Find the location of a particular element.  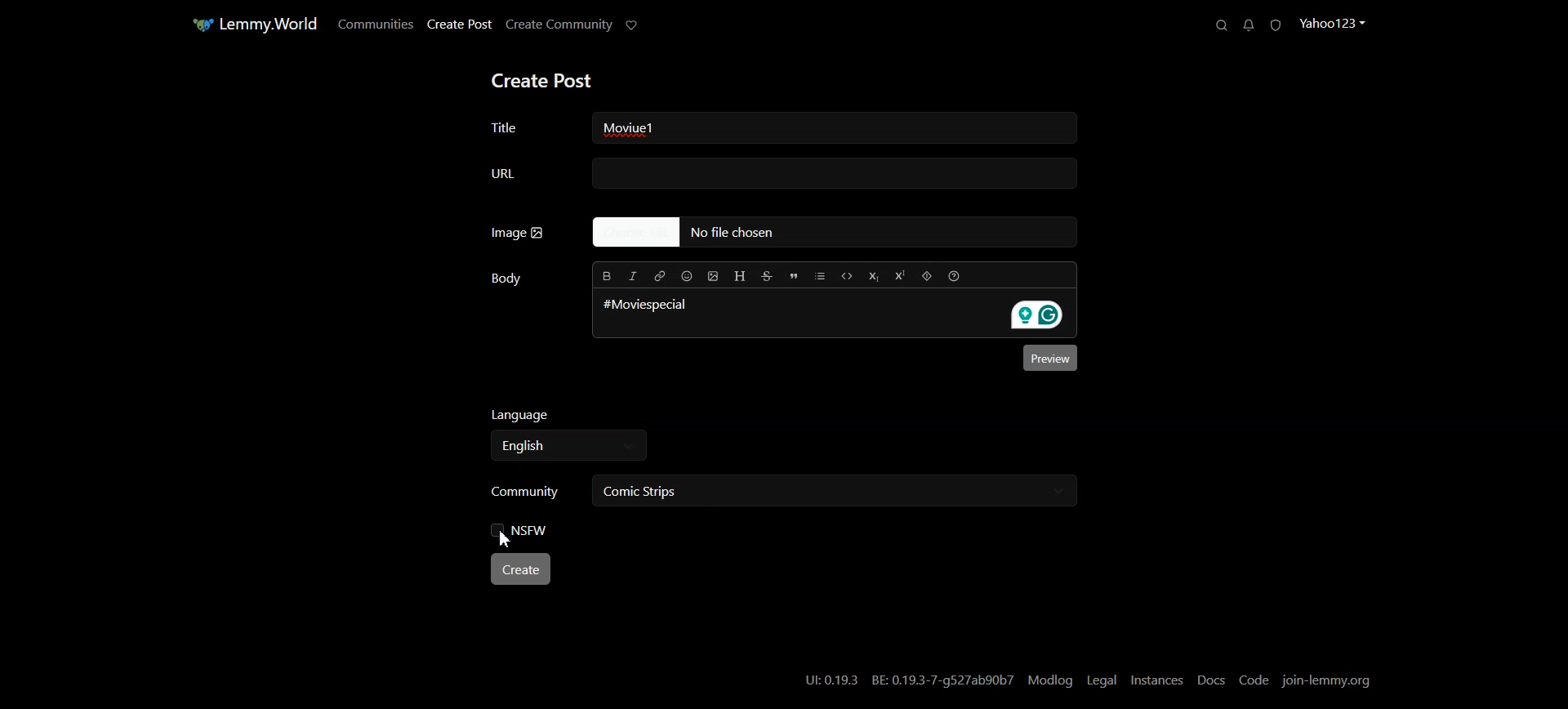

Insert Emoji is located at coordinates (688, 276).